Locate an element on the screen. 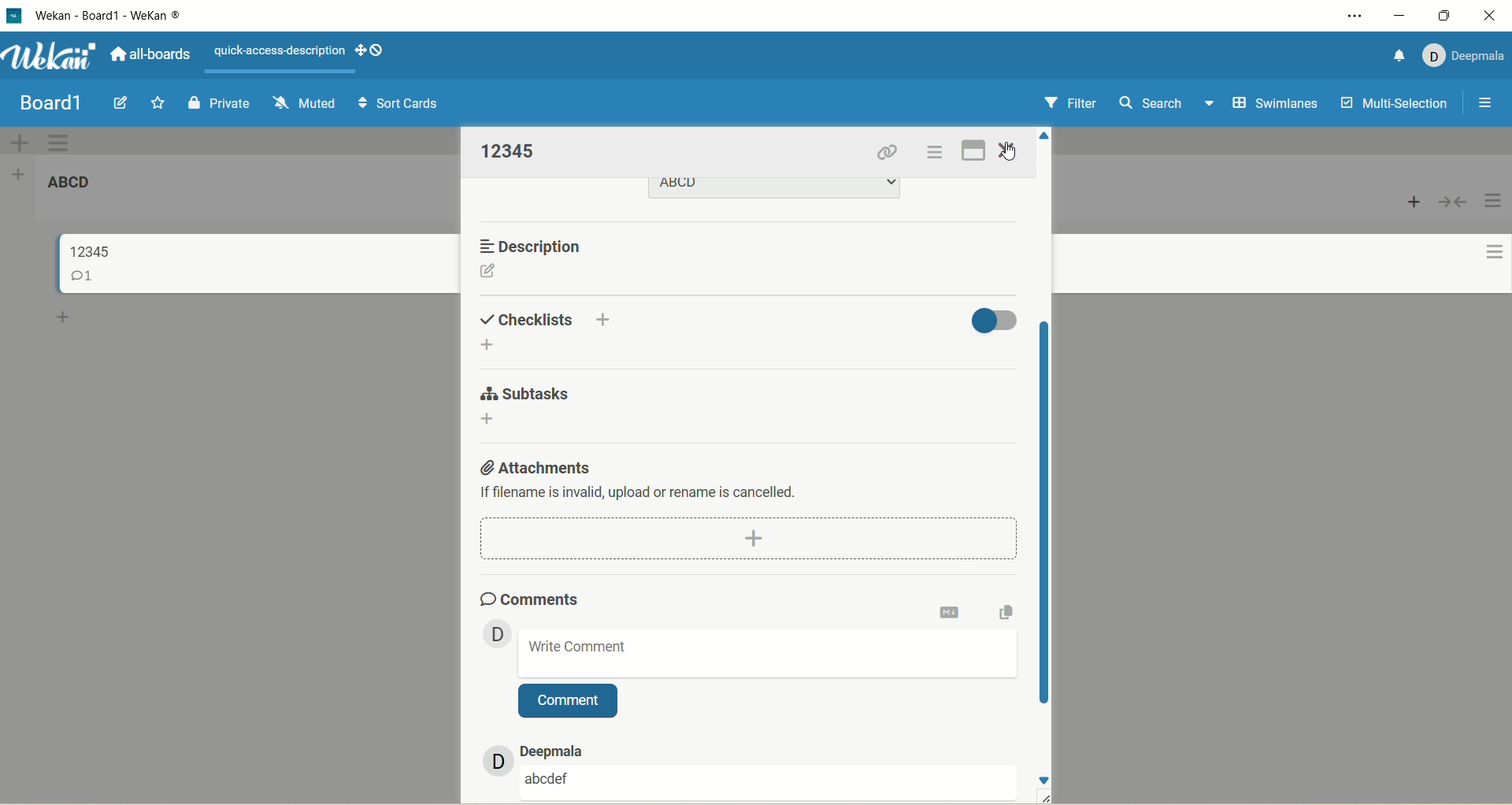 This screenshot has height=805, width=1512. dd is located at coordinates (753, 539).